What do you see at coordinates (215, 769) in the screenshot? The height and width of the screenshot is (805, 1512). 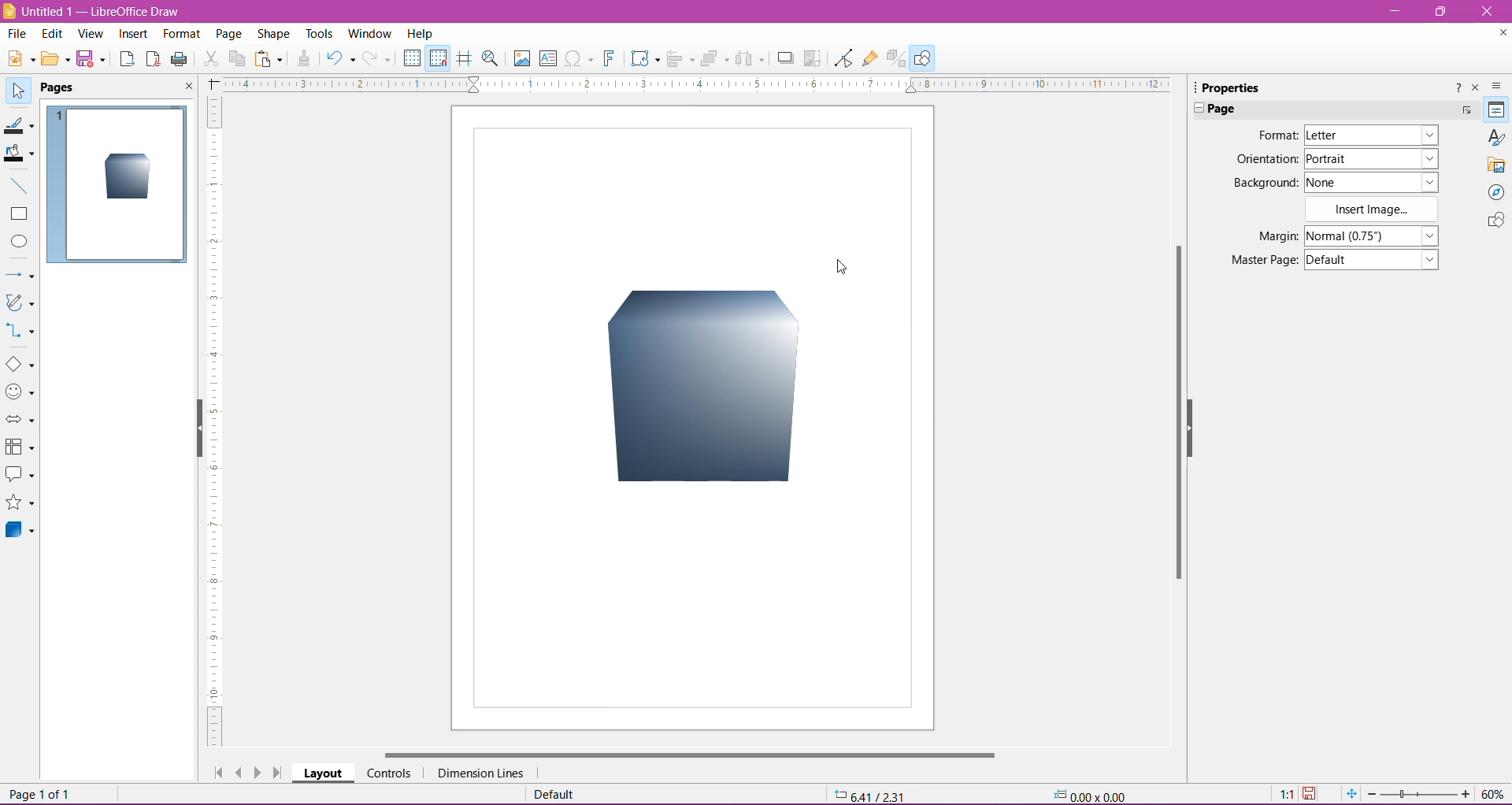 I see `Scroll to first page` at bounding box center [215, 769].